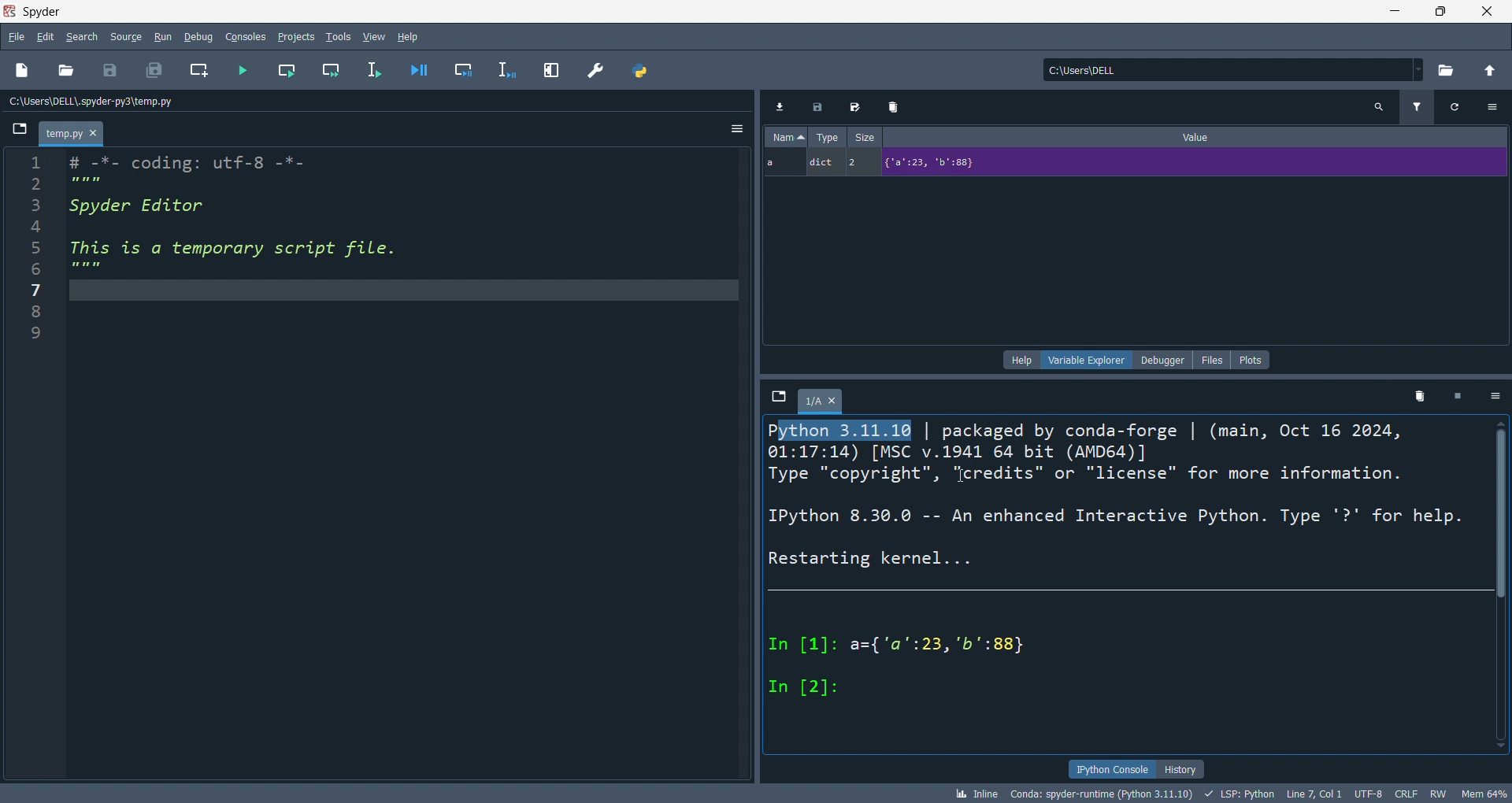 This screenshot has height=803, width=1512. I want to click on browse tabs, so click(20, 132).